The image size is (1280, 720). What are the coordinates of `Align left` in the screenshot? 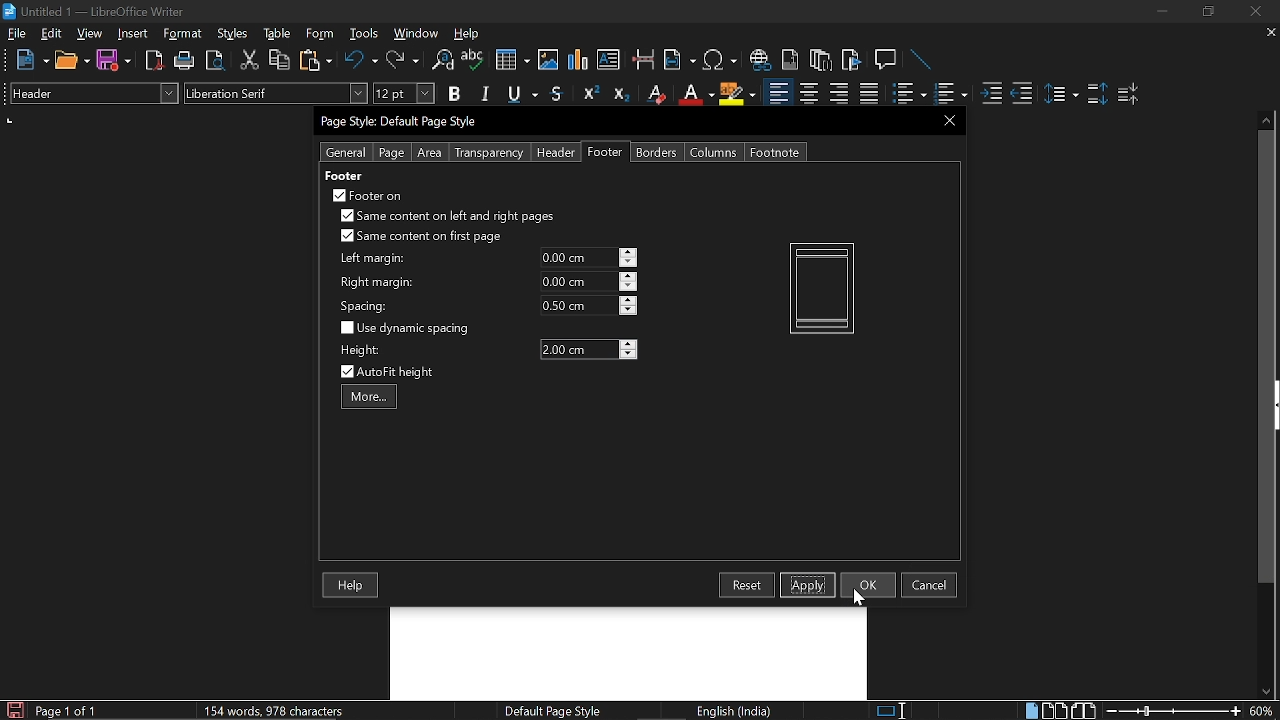 It's located at (778, 94).